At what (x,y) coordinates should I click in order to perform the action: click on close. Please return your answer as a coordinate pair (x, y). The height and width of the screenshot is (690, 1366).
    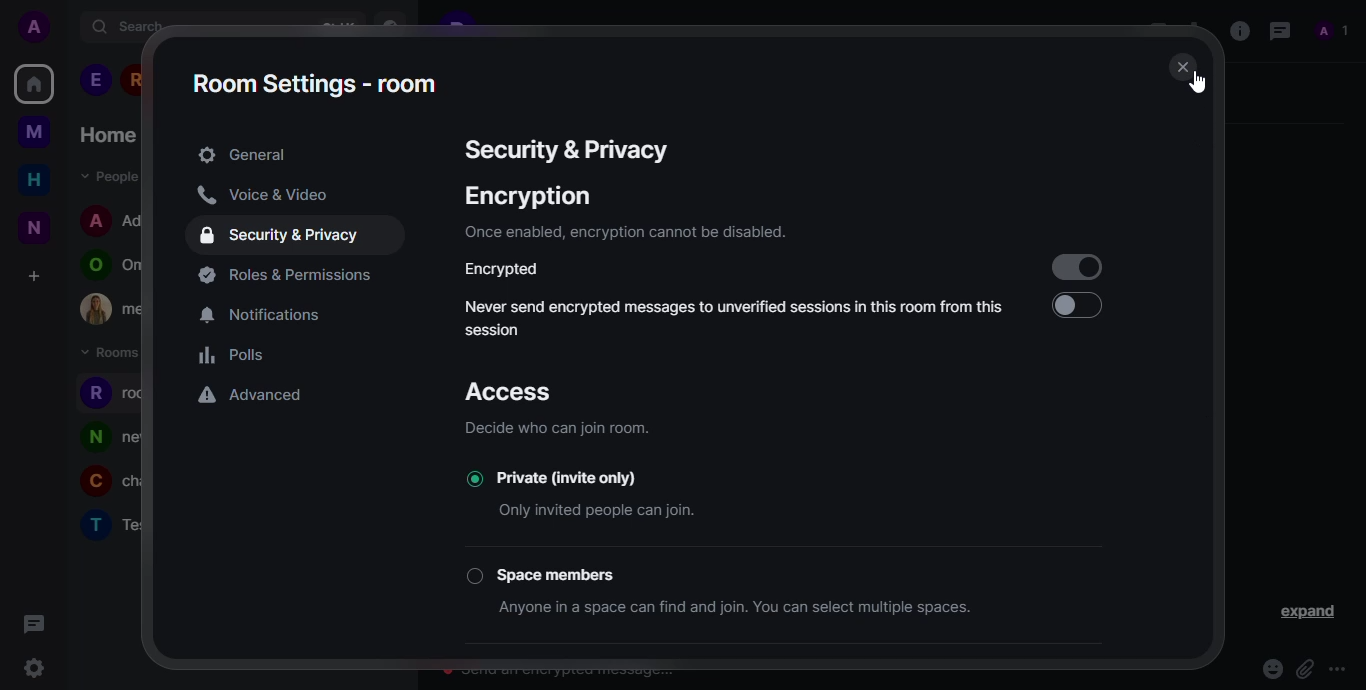
    Looking at the image, I should click on (1181, 67).